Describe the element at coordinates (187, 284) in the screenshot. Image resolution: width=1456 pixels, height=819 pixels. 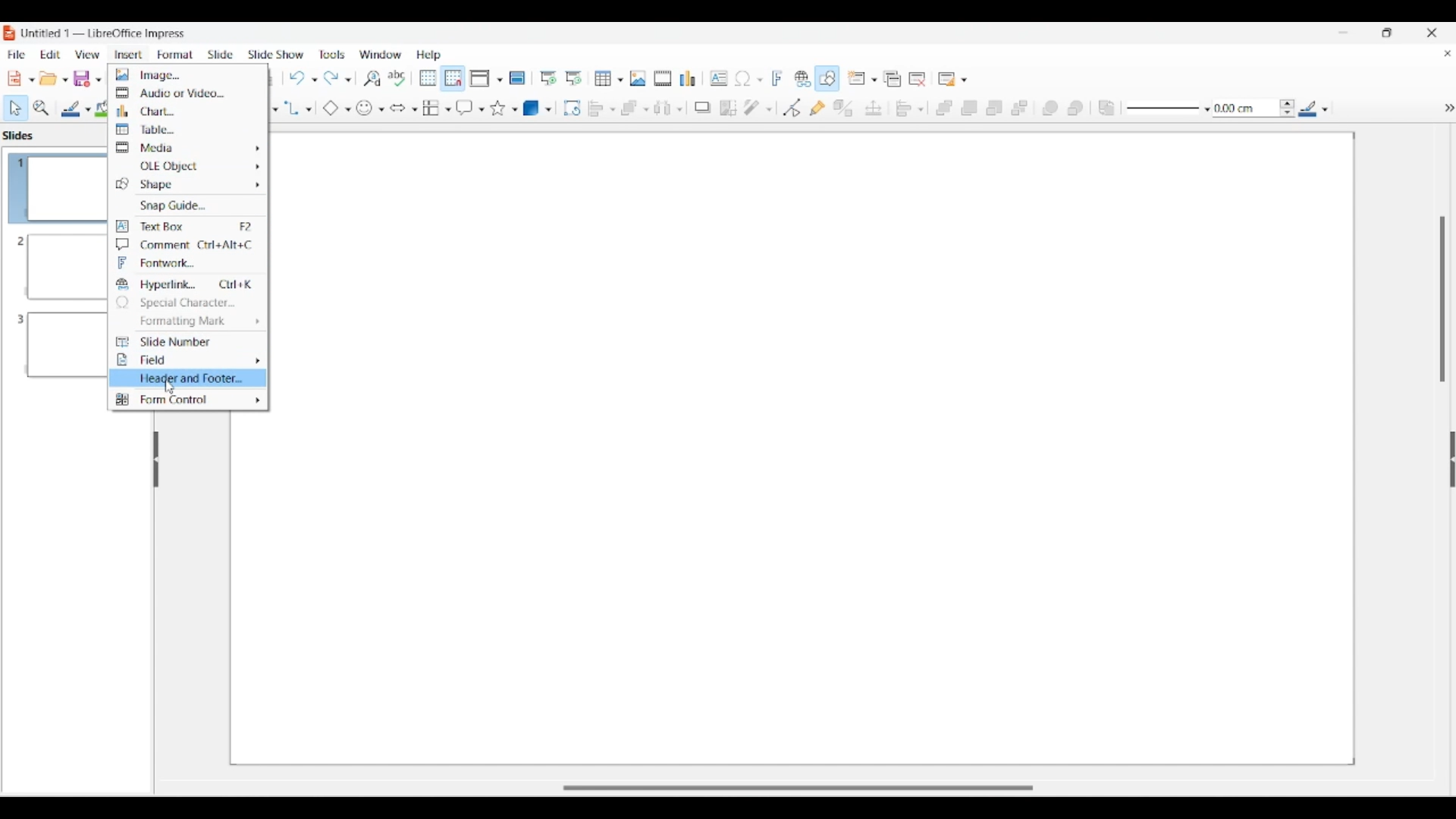
I see `Hyperlink` at that location.